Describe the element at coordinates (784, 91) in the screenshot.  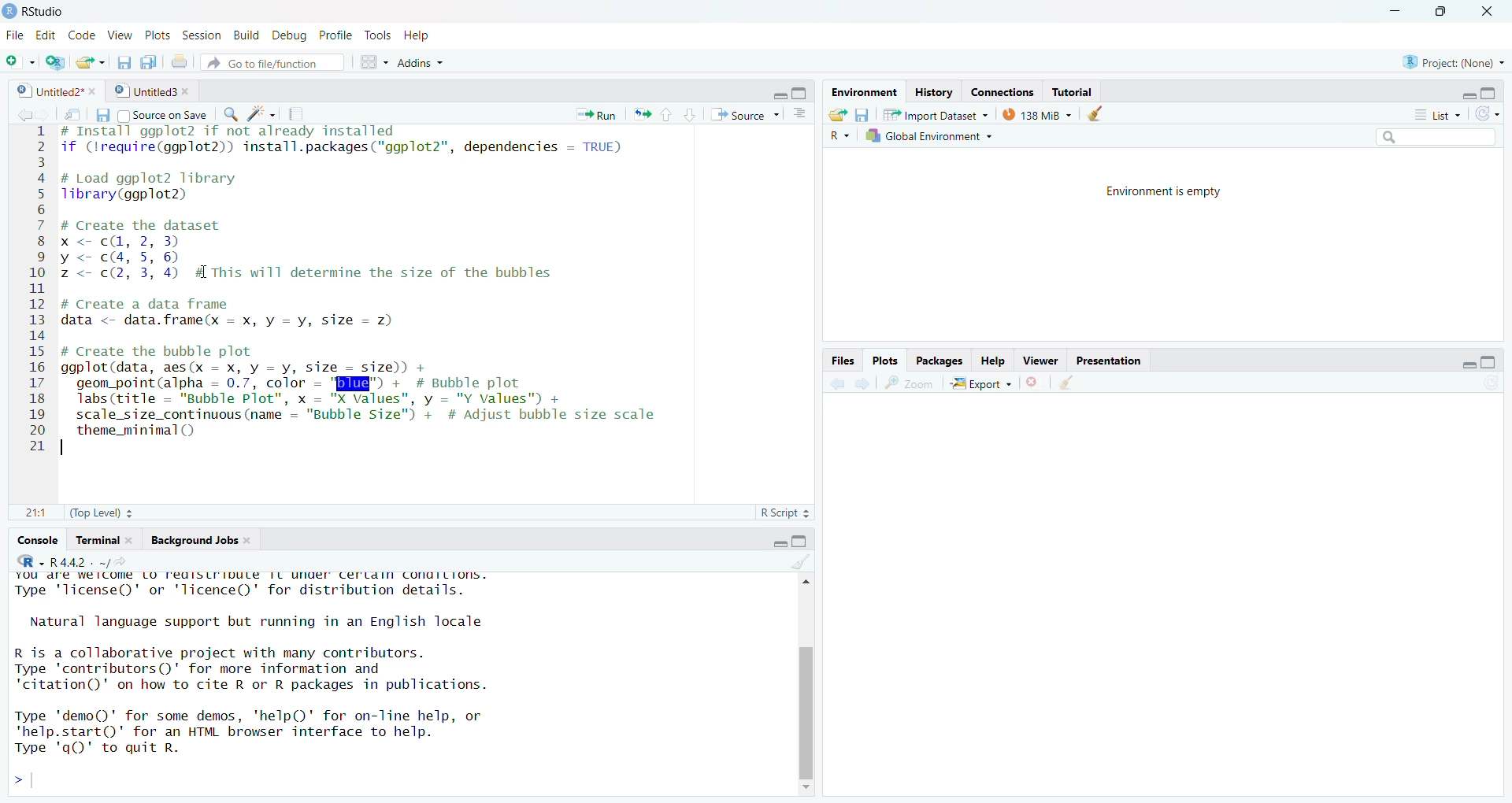
I see `minimize/maximize` at that location.